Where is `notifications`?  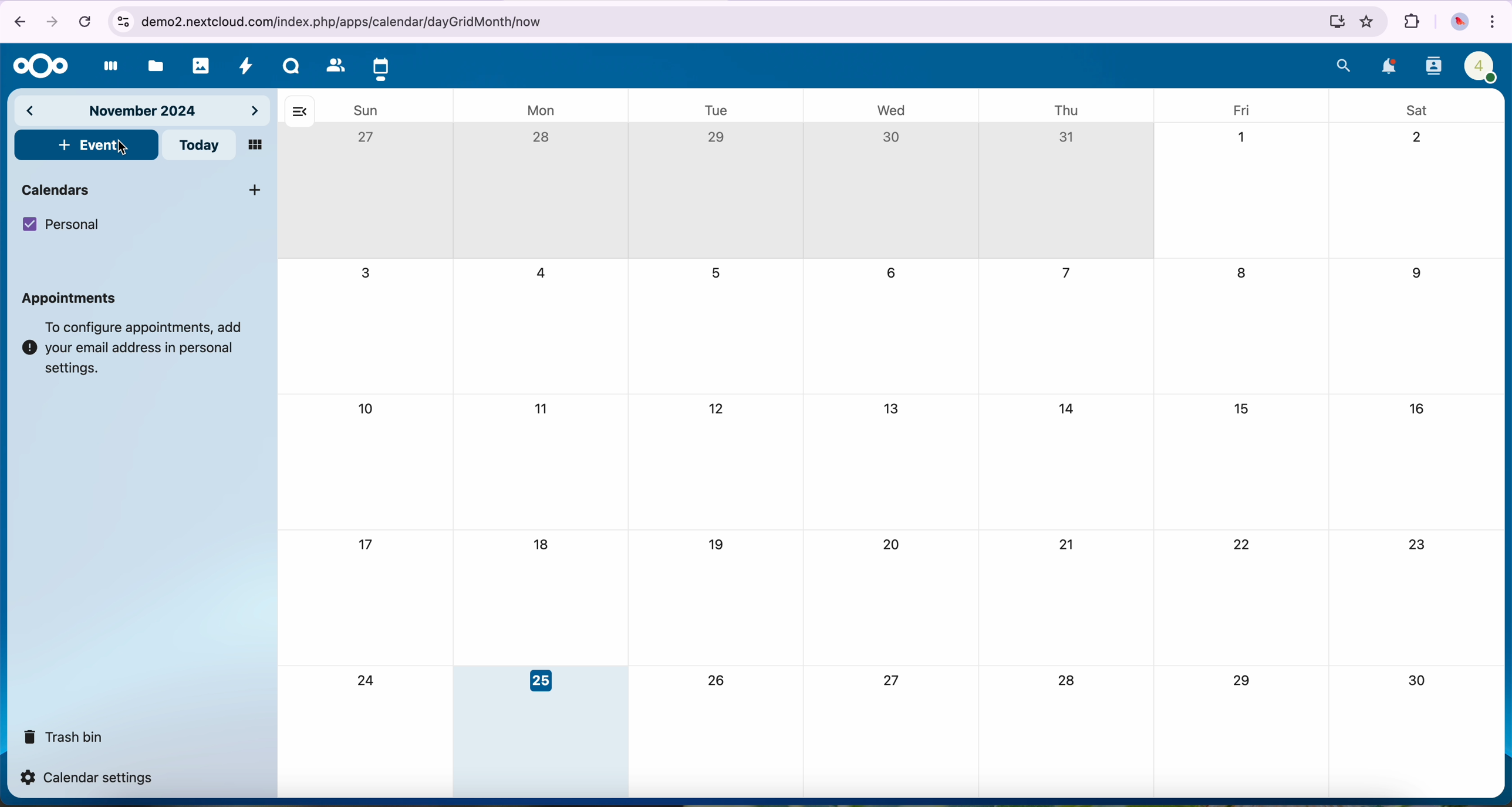
notifications is located at coordinates (1389, 67).